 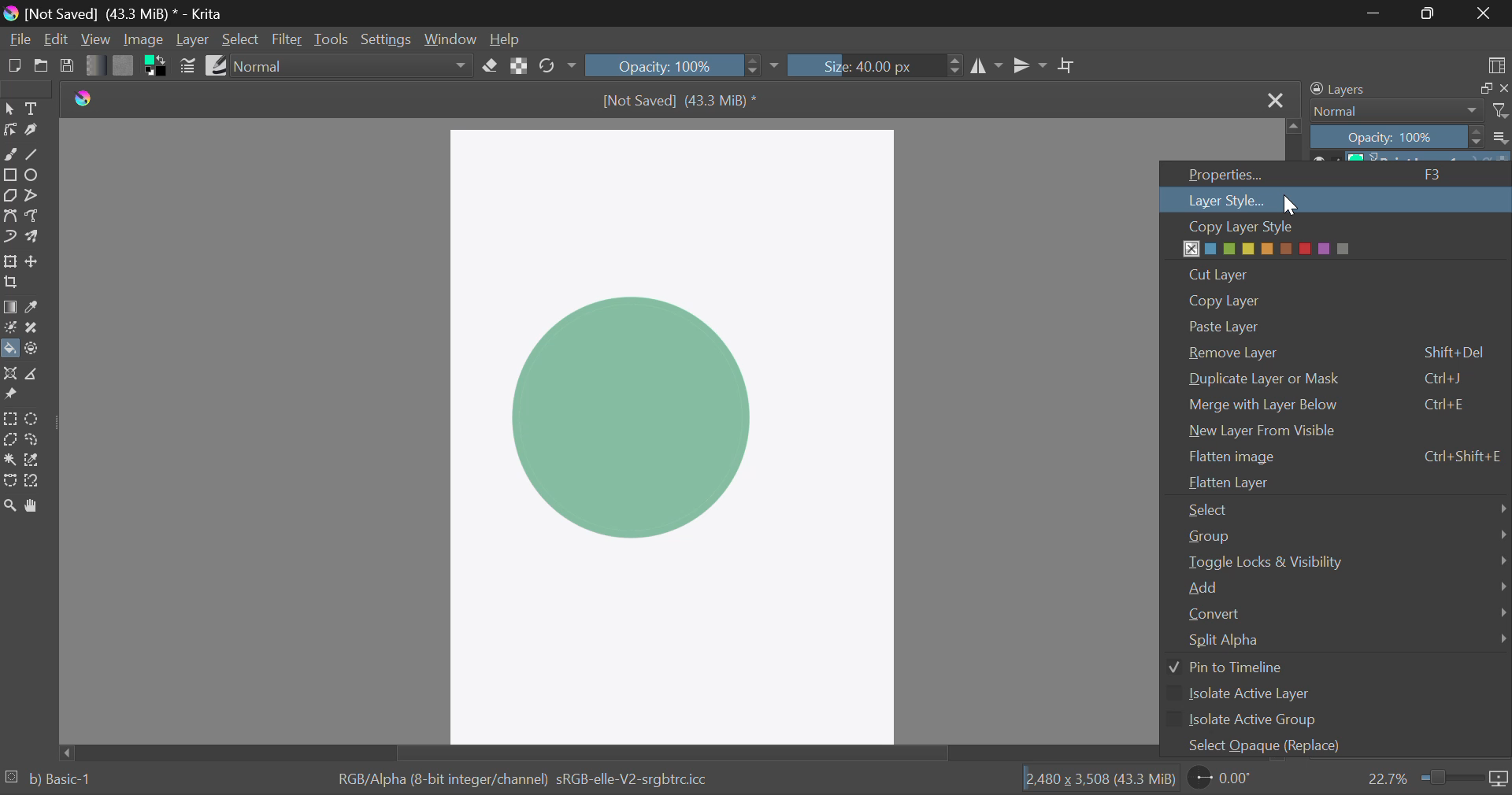 I want to click on Ellipses Selected , so click(x=31, y=175).